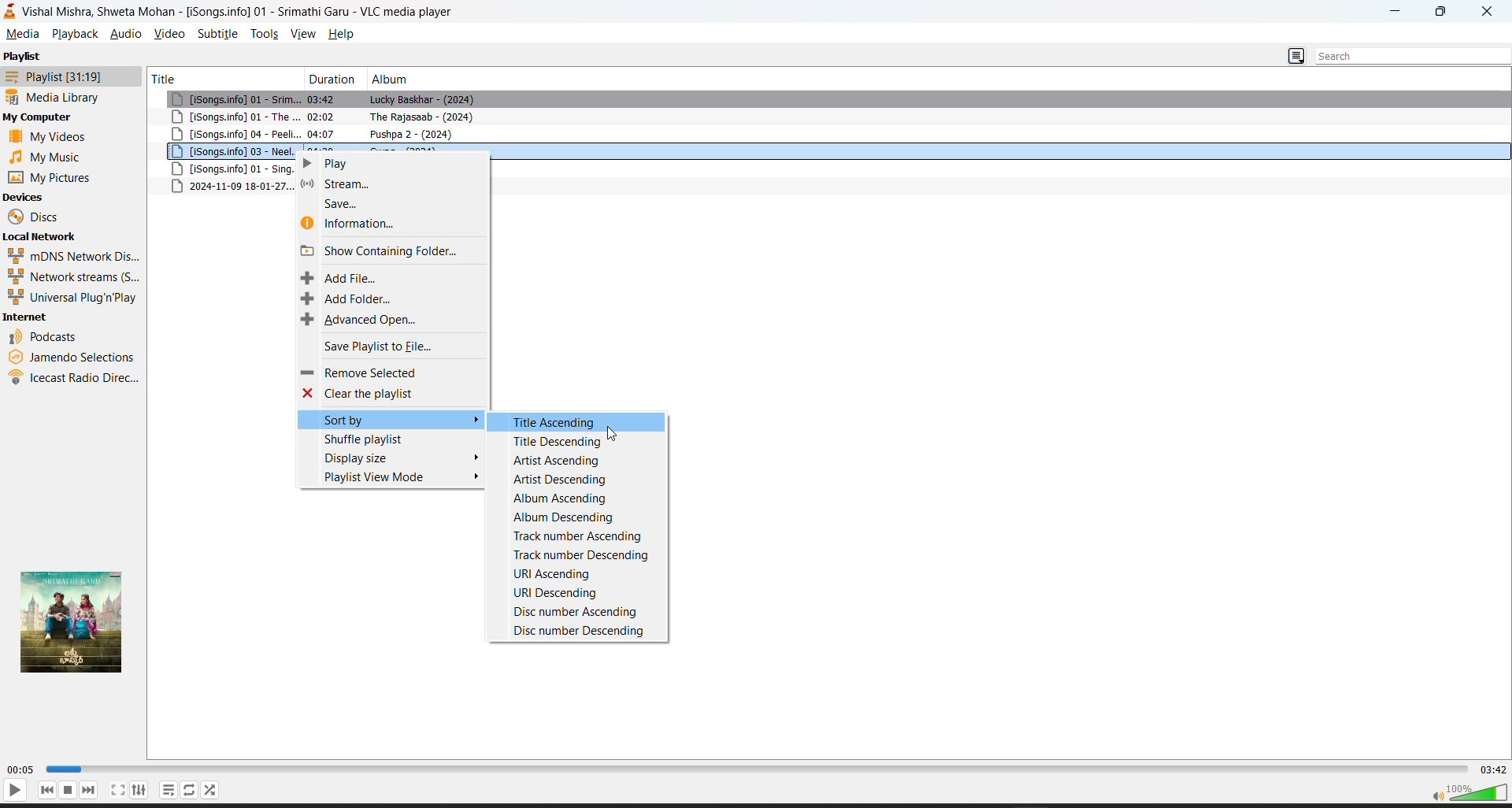 Image resolution: width=1512 pixels, height=808 pixels. Describe the element at coordinates (754, 770) in the screenshot. I see `track slider` at that location.